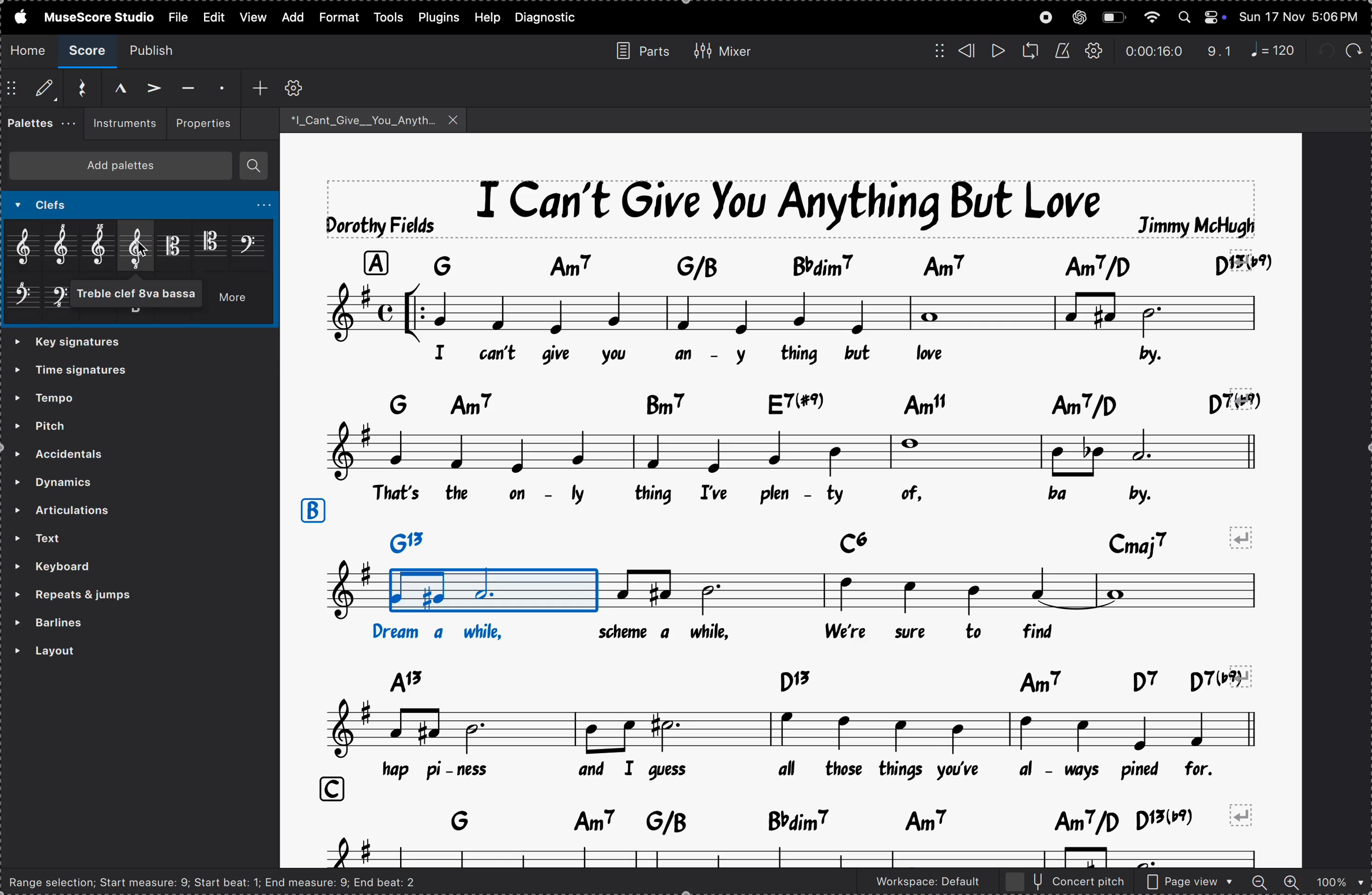  I want to click on view, so click(212, 17).